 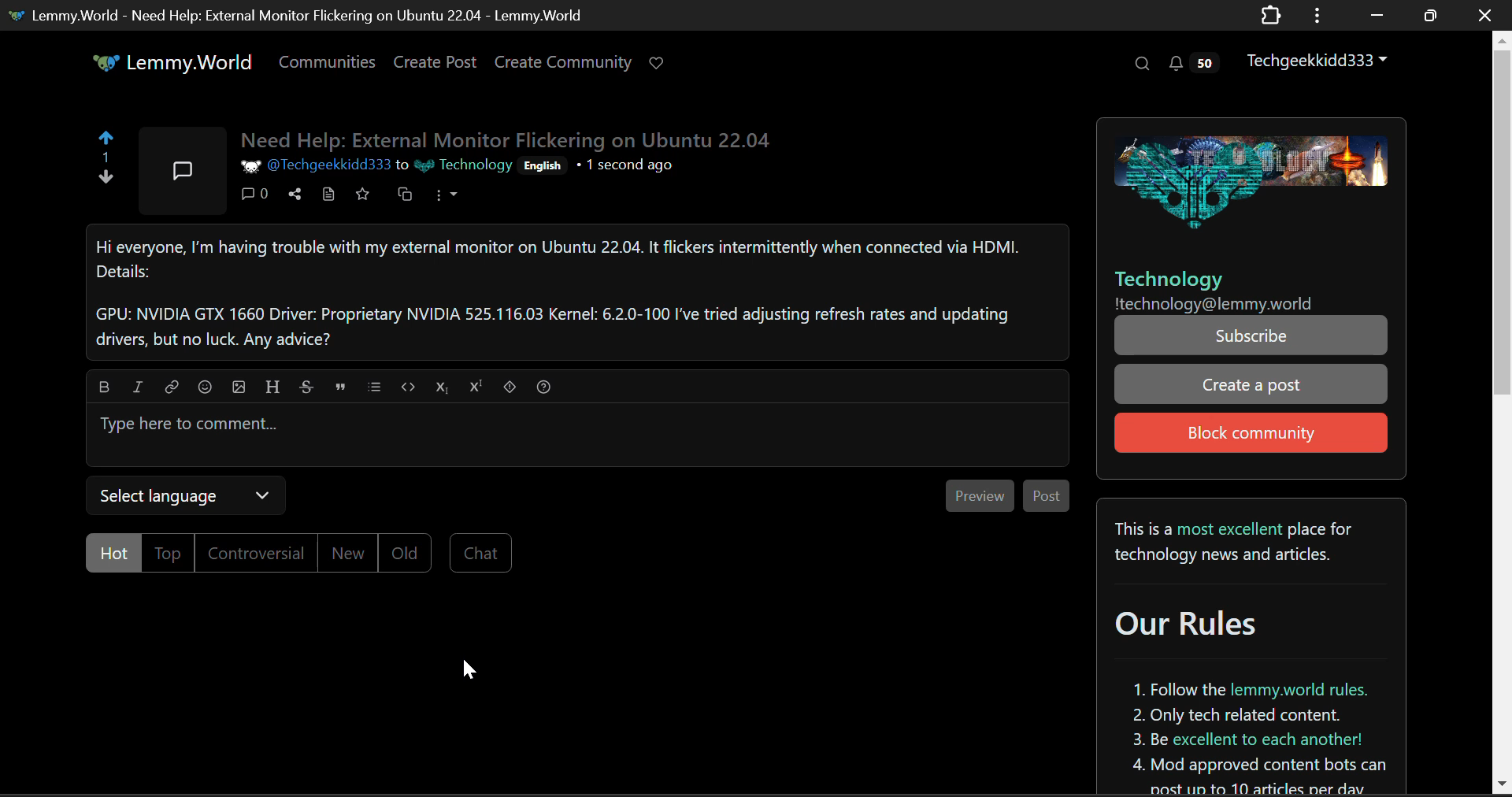 What do you see at coordinates (978, 495) in the screenshot?
I see `Preview` at bounding box center [978, 495].